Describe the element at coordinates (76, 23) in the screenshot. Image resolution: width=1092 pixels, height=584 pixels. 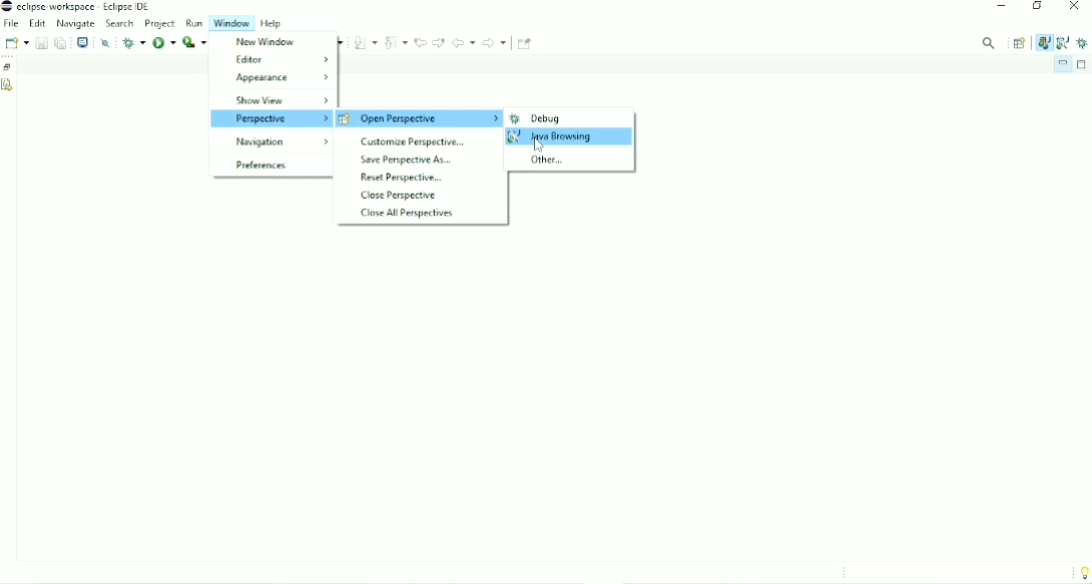
I see `Navigate` at that location.